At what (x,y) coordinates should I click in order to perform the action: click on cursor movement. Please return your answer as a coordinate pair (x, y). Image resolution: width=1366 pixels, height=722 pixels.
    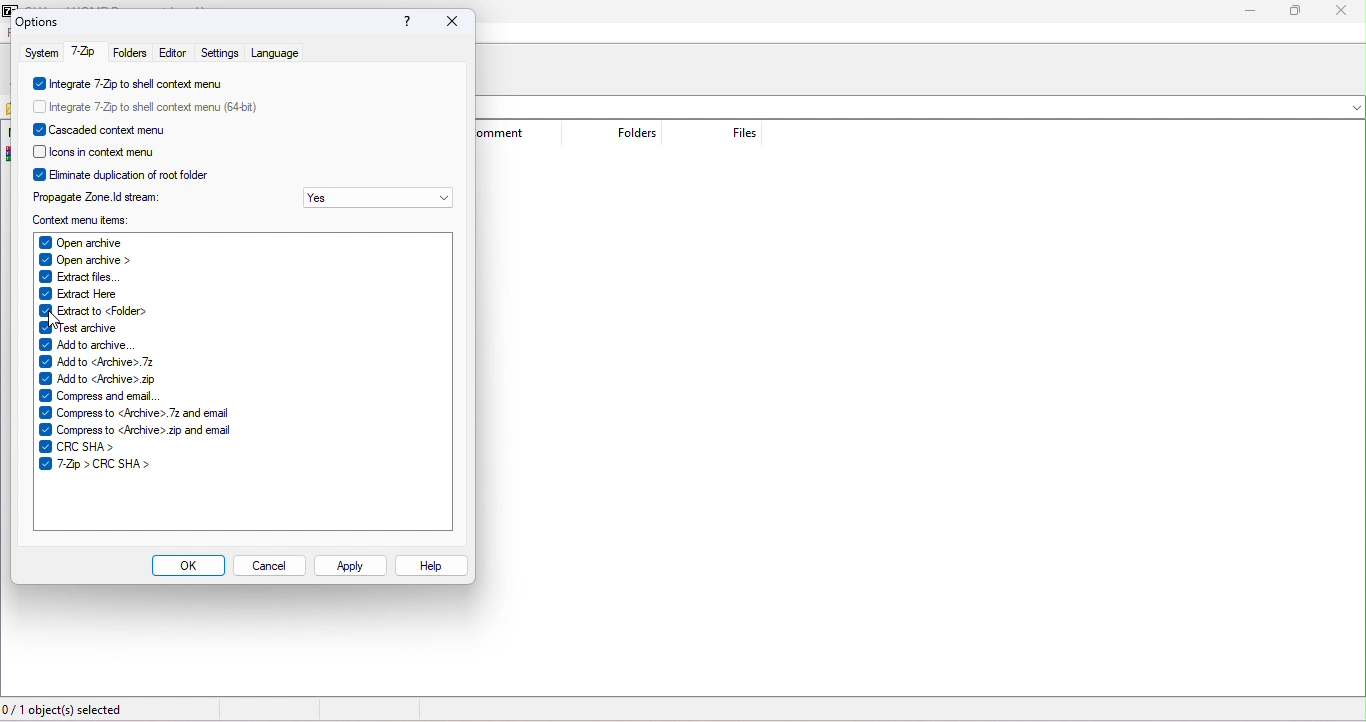
    Looking at the image, I should click on (57, 320).